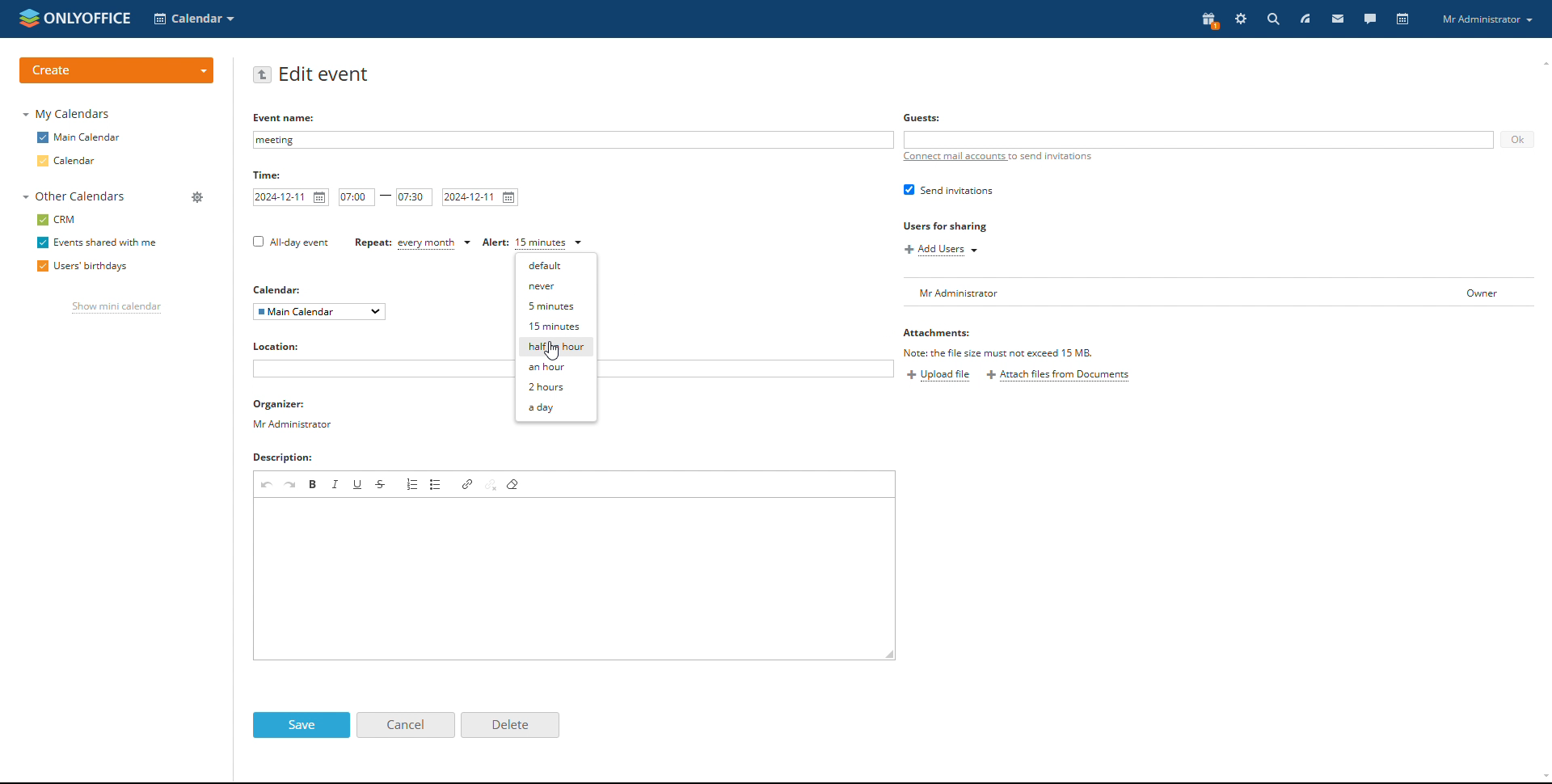 This screenshot has height=784, width=1552. Describe the element at coordinates (327, 74) in the screenshot. I see `edit event` at that location.